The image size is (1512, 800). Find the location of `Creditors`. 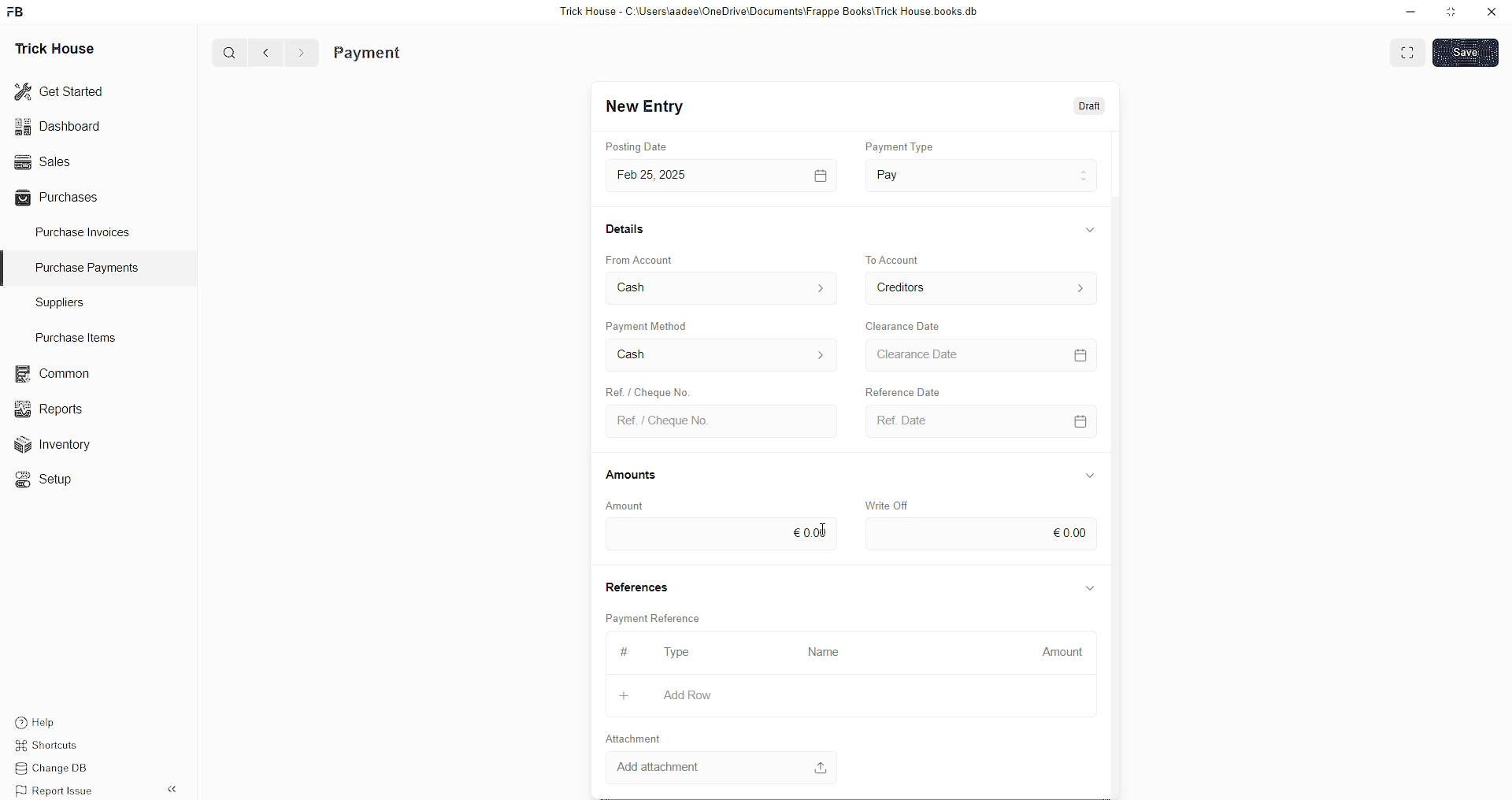

Creditors is located at coordinates (898, 287).